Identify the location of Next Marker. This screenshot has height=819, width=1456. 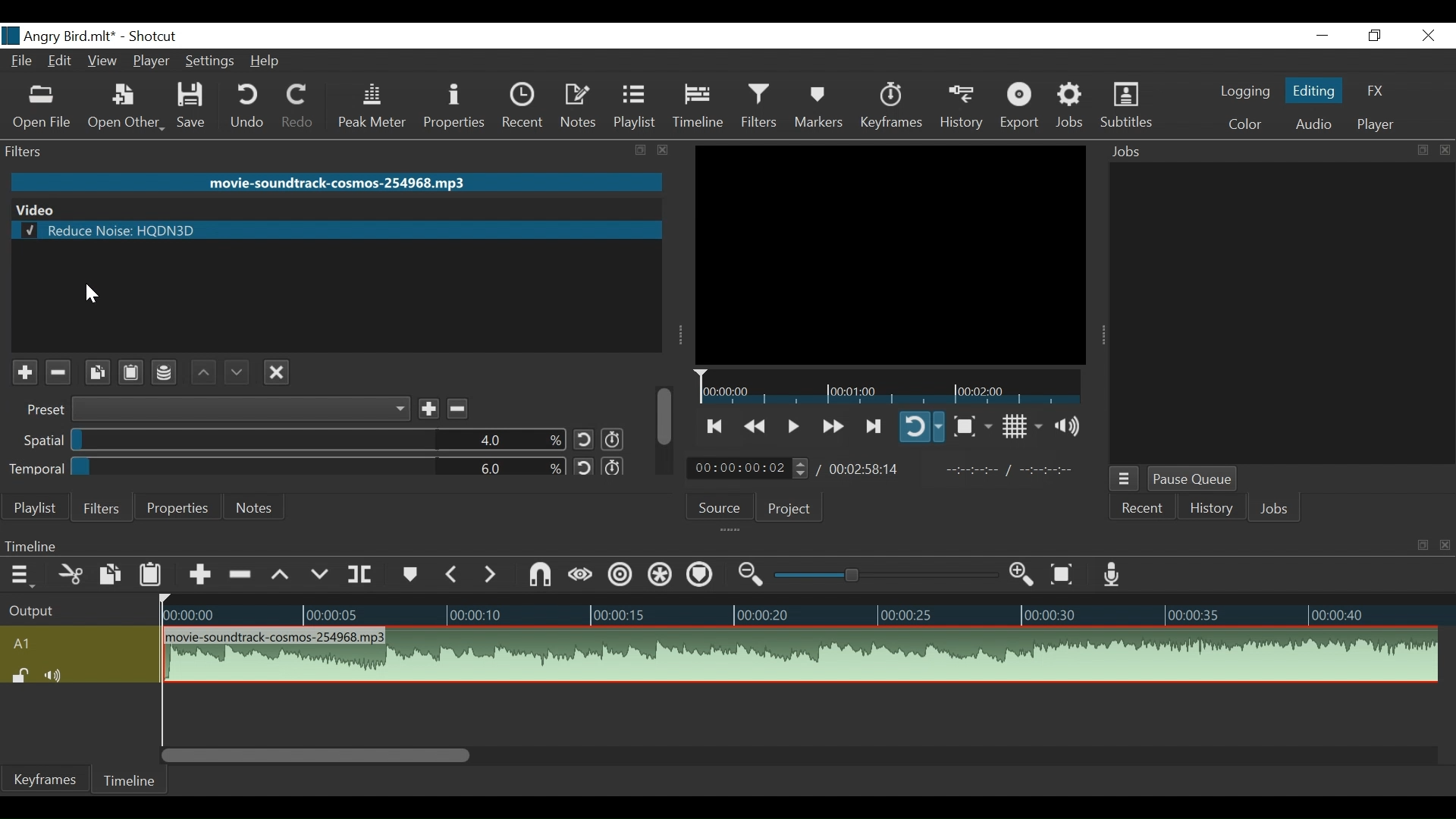
(493, 575).